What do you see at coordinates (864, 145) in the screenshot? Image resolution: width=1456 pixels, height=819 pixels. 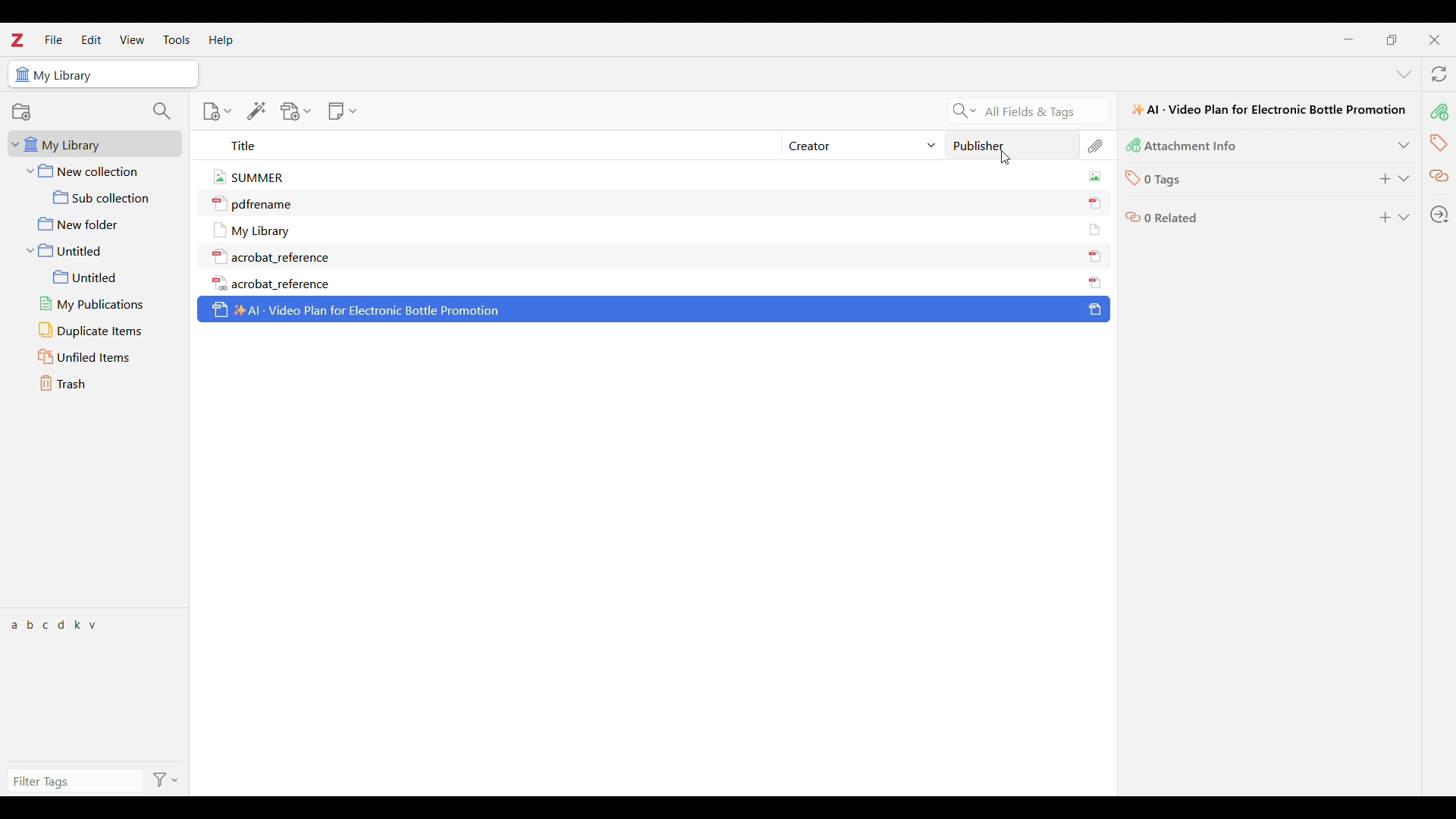 I see `Creator` at bounding box center [864, 145].